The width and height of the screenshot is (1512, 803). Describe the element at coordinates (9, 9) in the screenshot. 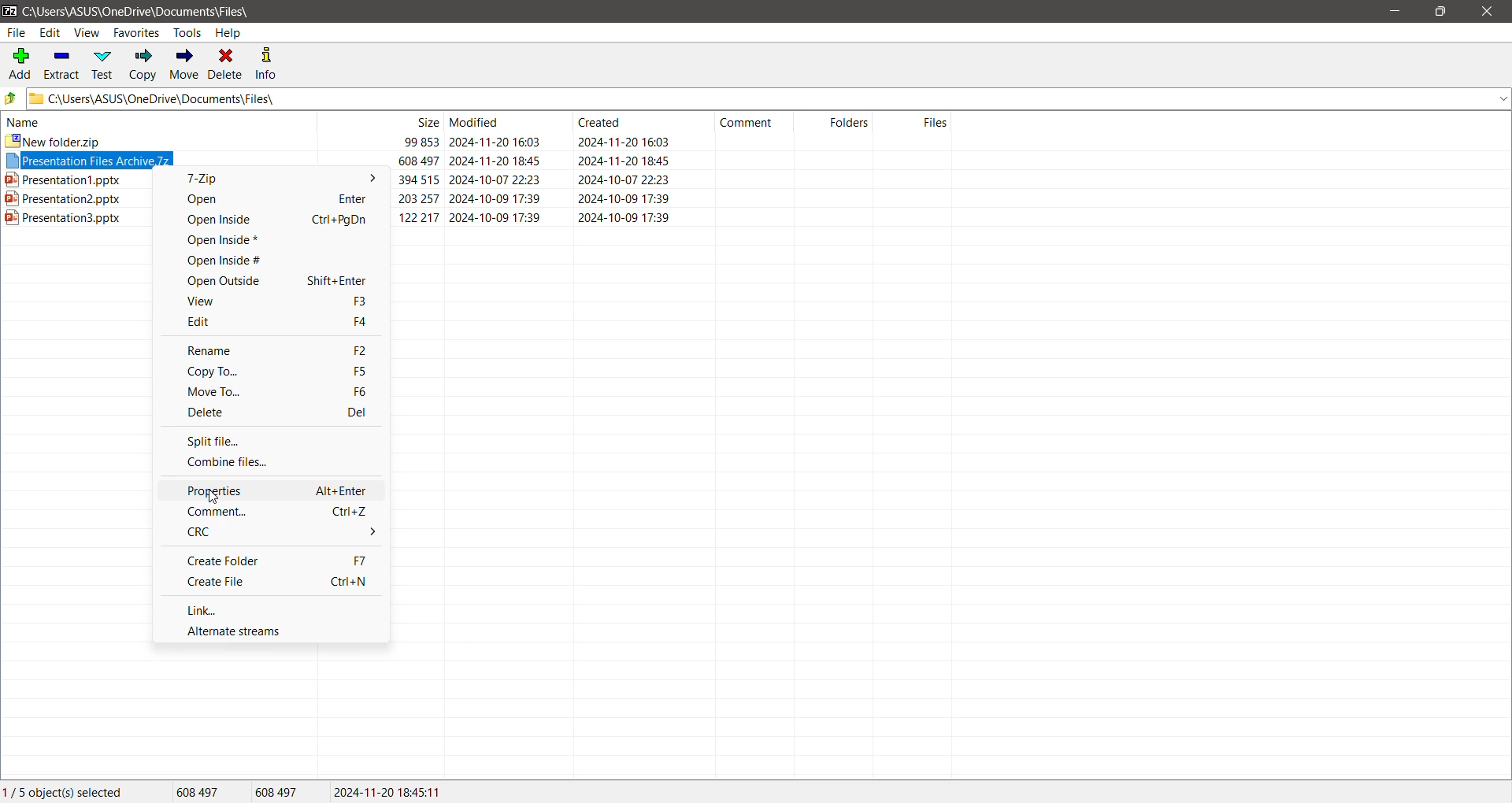

I see `Application Logo` at that location.